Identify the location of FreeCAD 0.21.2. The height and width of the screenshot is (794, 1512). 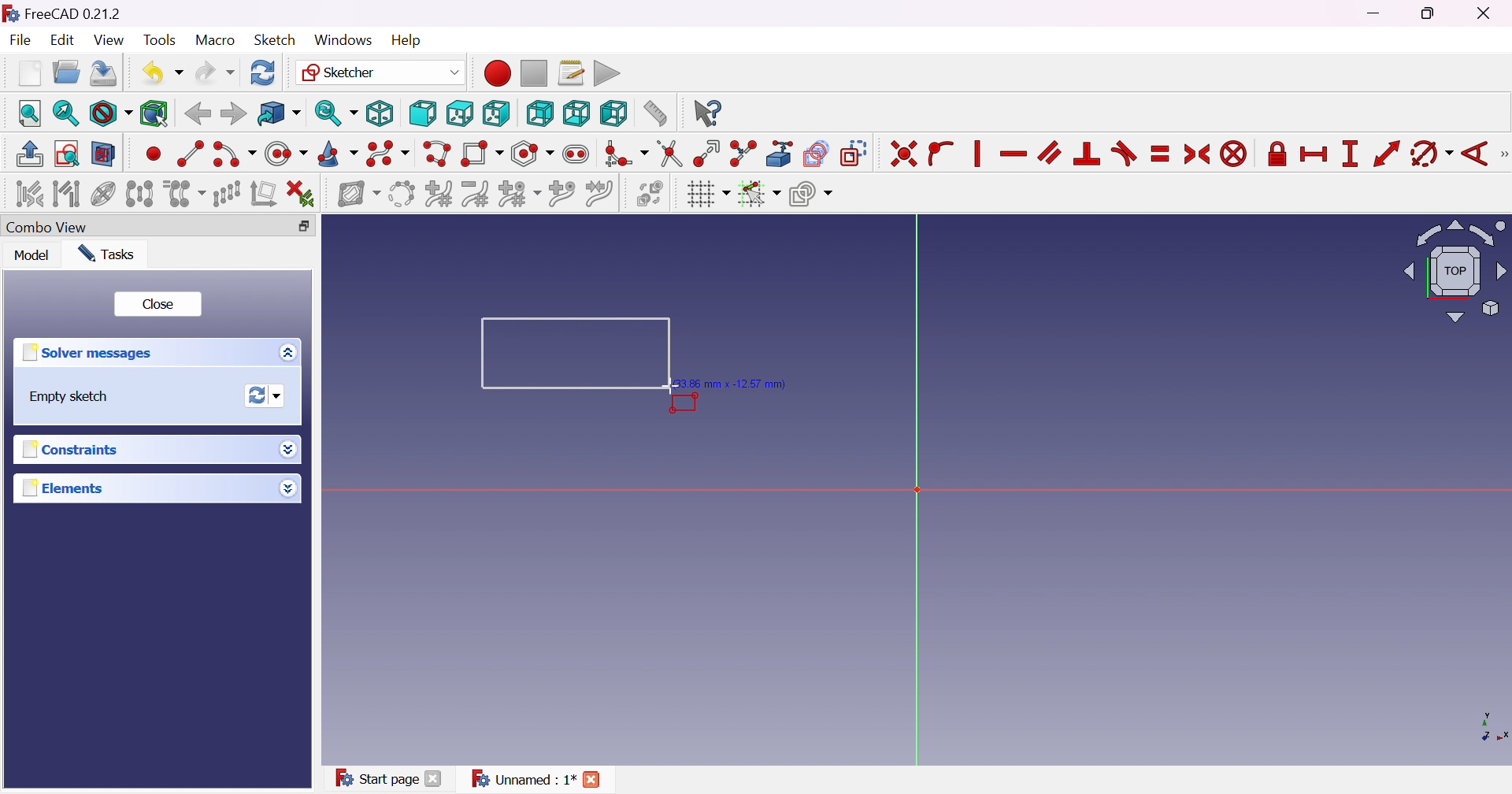
(61, 11).